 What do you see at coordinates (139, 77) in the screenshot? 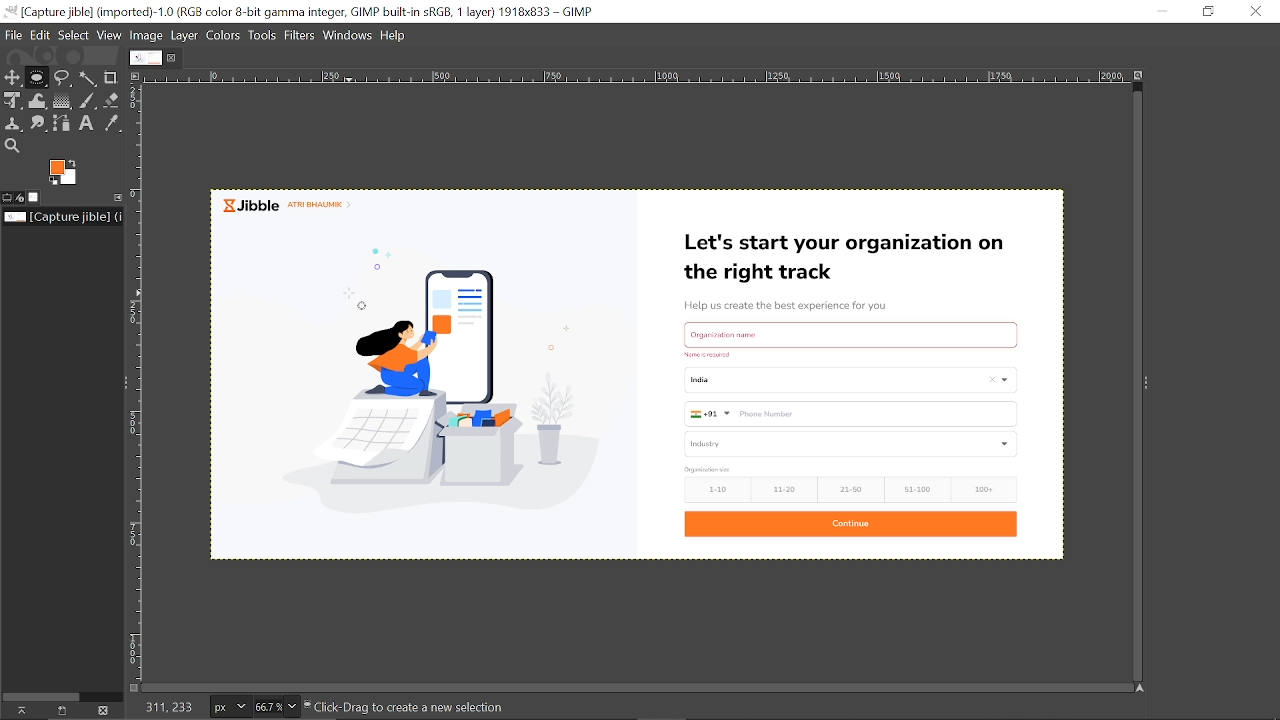
I see `Access the image menu` at bounding box center [139, 77].